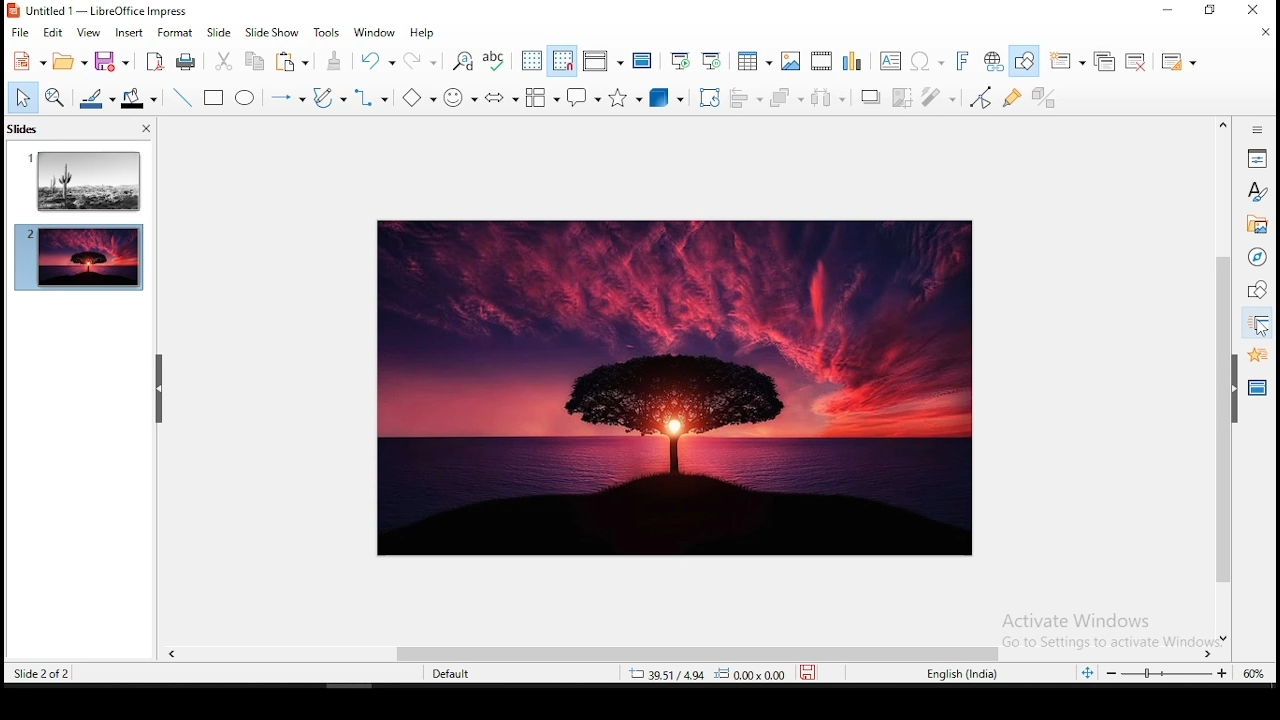  I want to click on sidebar settings, so click(1255, 131).